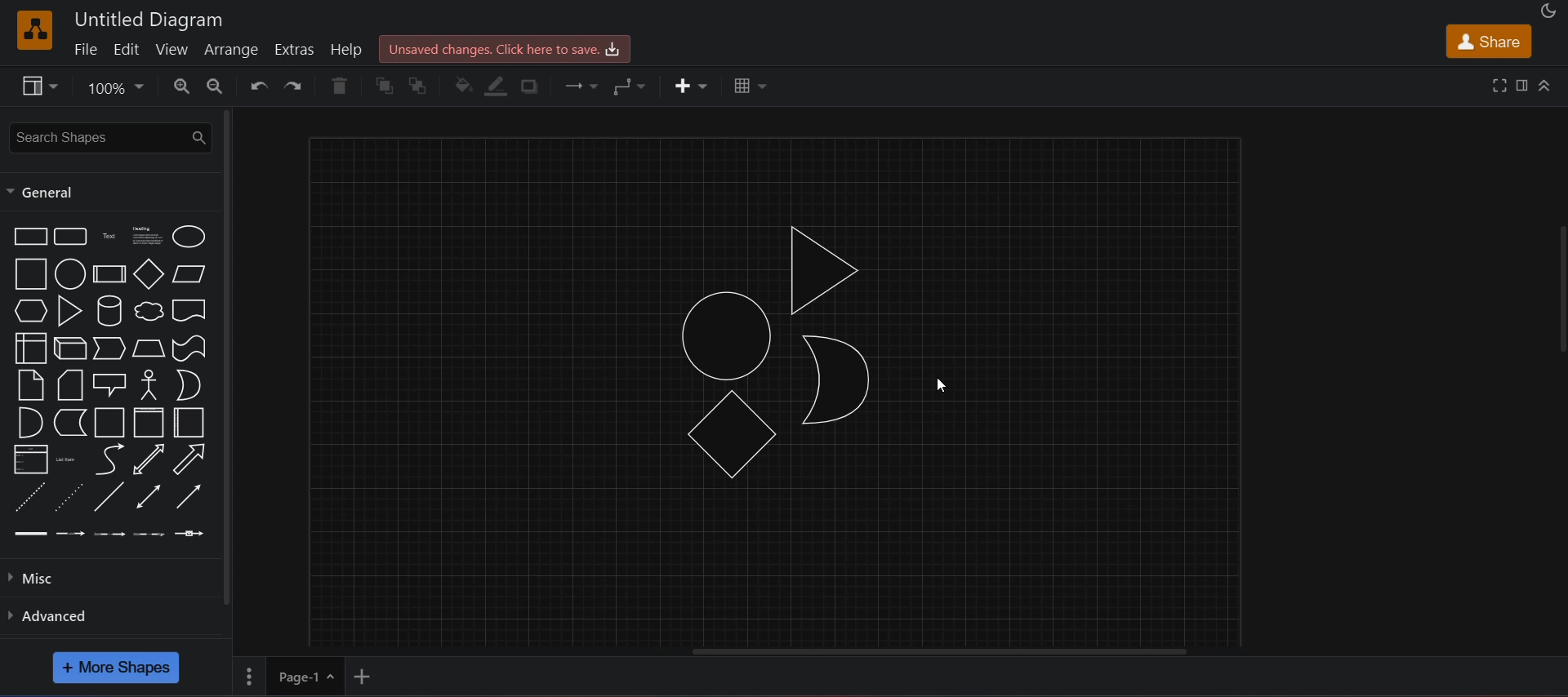 This screenshot has width=1568, height=697. What do you see at coordinates (346, 50) in the screenshot?
I see `help` at bounding box center [346, 50].